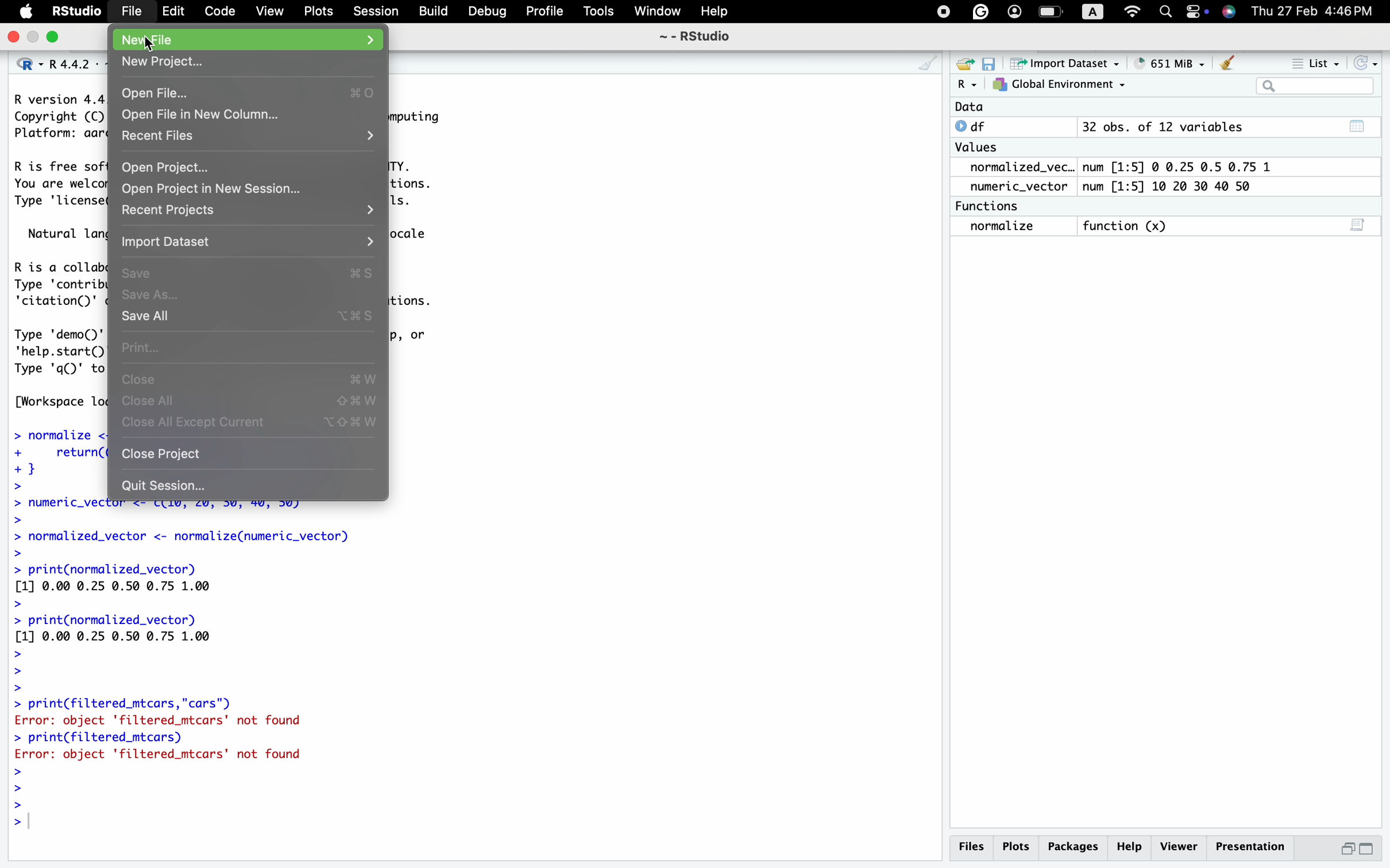 The image size is (1390, 868). Describe the element at coordinates (248, 209) in the screenshot. I see `Bn recent Frojects` at that location.